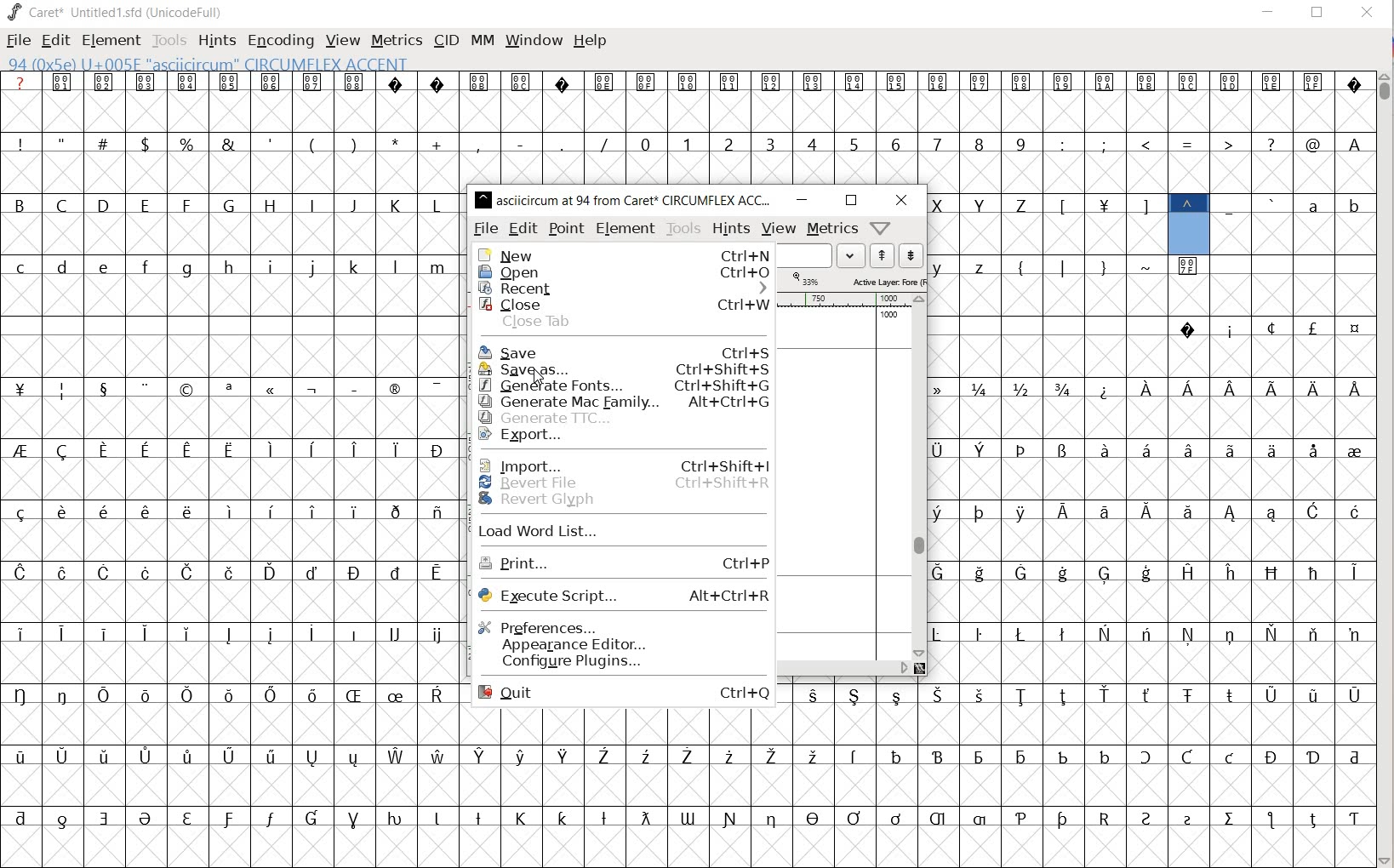 Image resolution: width=1394 pixels, height=868 pixels. What do you see at coordinates (621, 461) in the screenshot?
I see `Import` at bounding box center [621, 461].